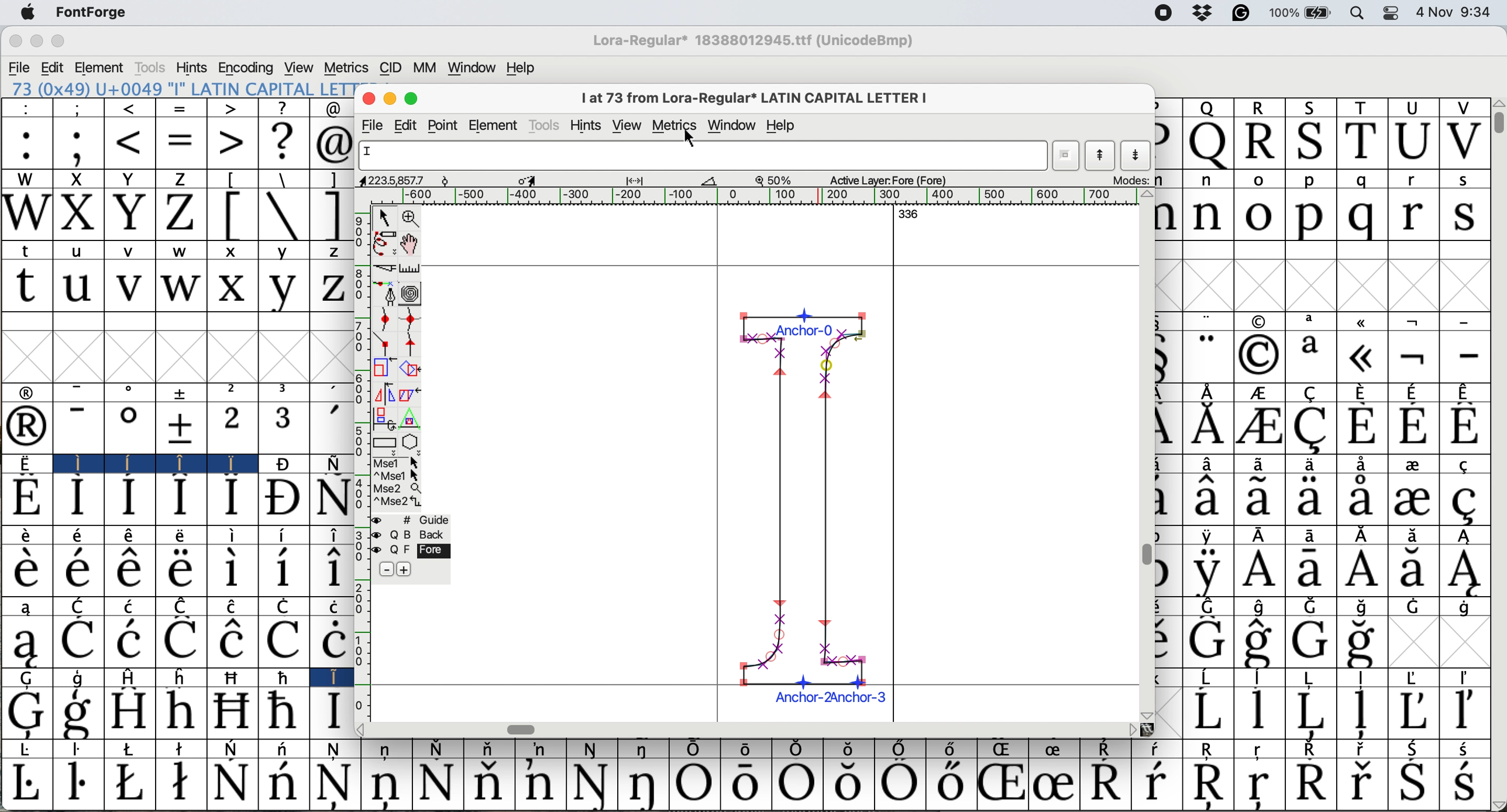 This screenshot has height=812, width=1507. What do you see at coordinates (446, 125) in the screenshot?
I see `point` at bounding box center [446, 125].